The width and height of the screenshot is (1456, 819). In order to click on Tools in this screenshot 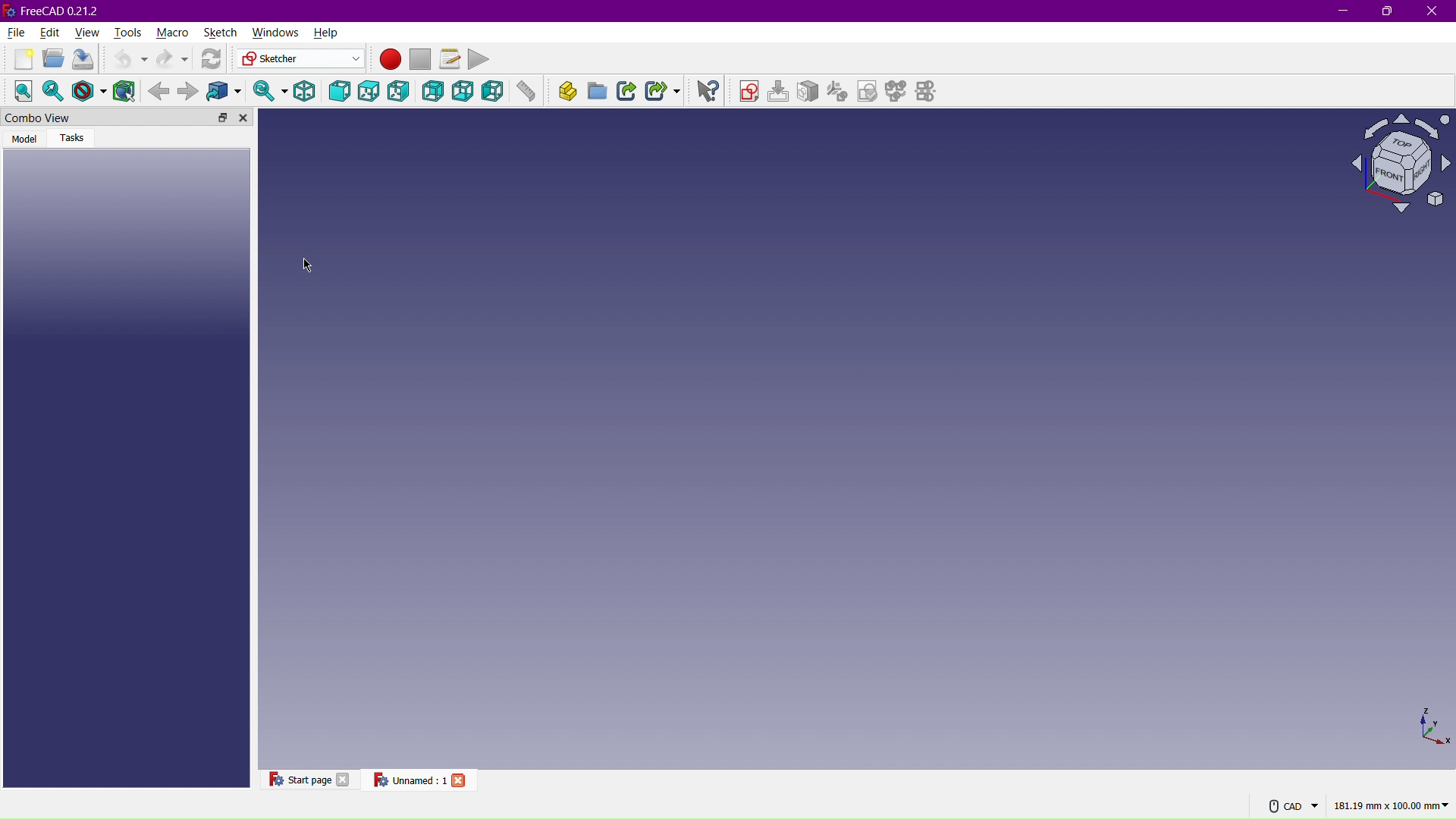, I will do `click(126, 30)`.